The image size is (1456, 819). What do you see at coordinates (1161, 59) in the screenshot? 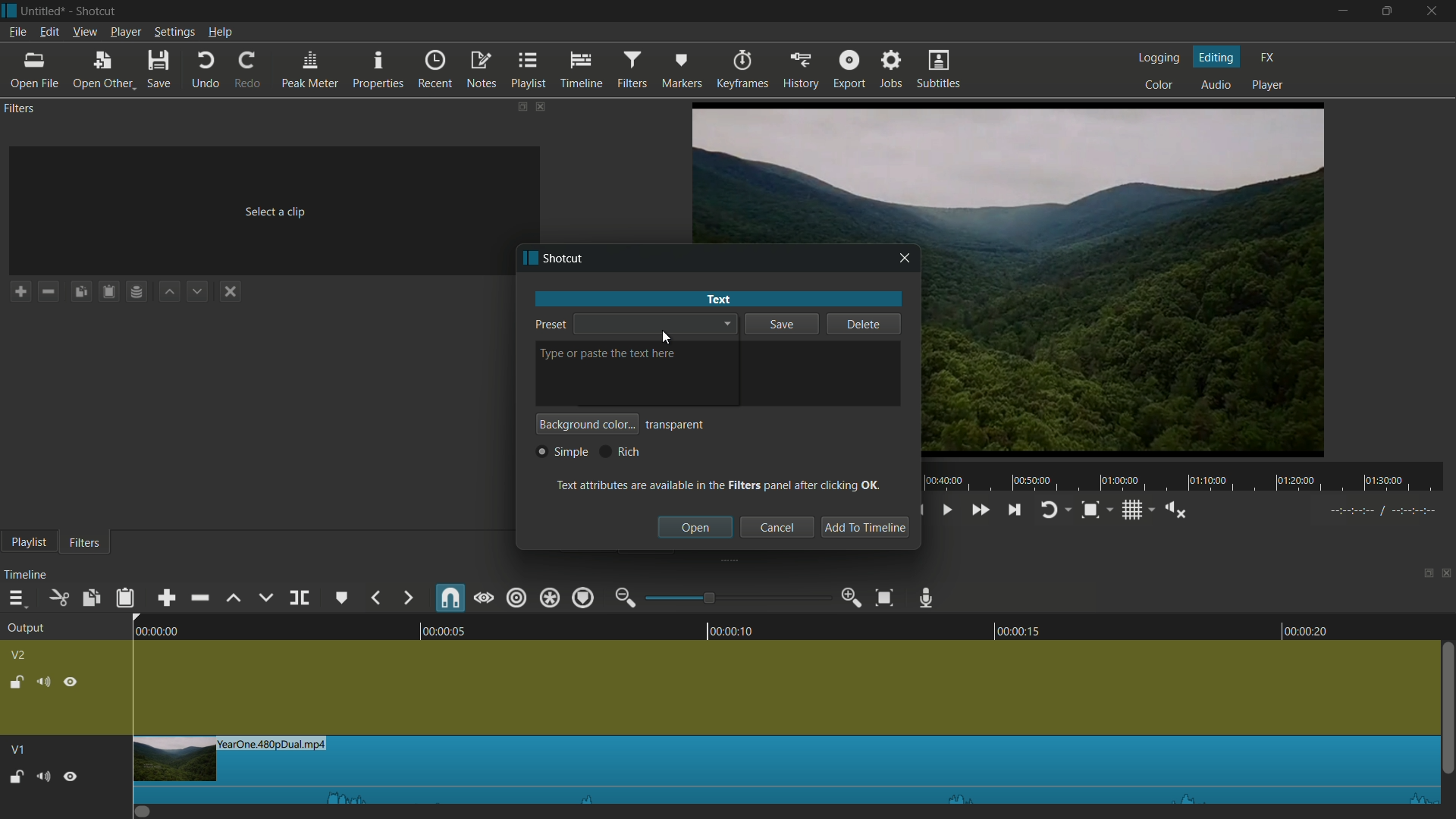
I see `logging` at bounding box center [1161, 59].